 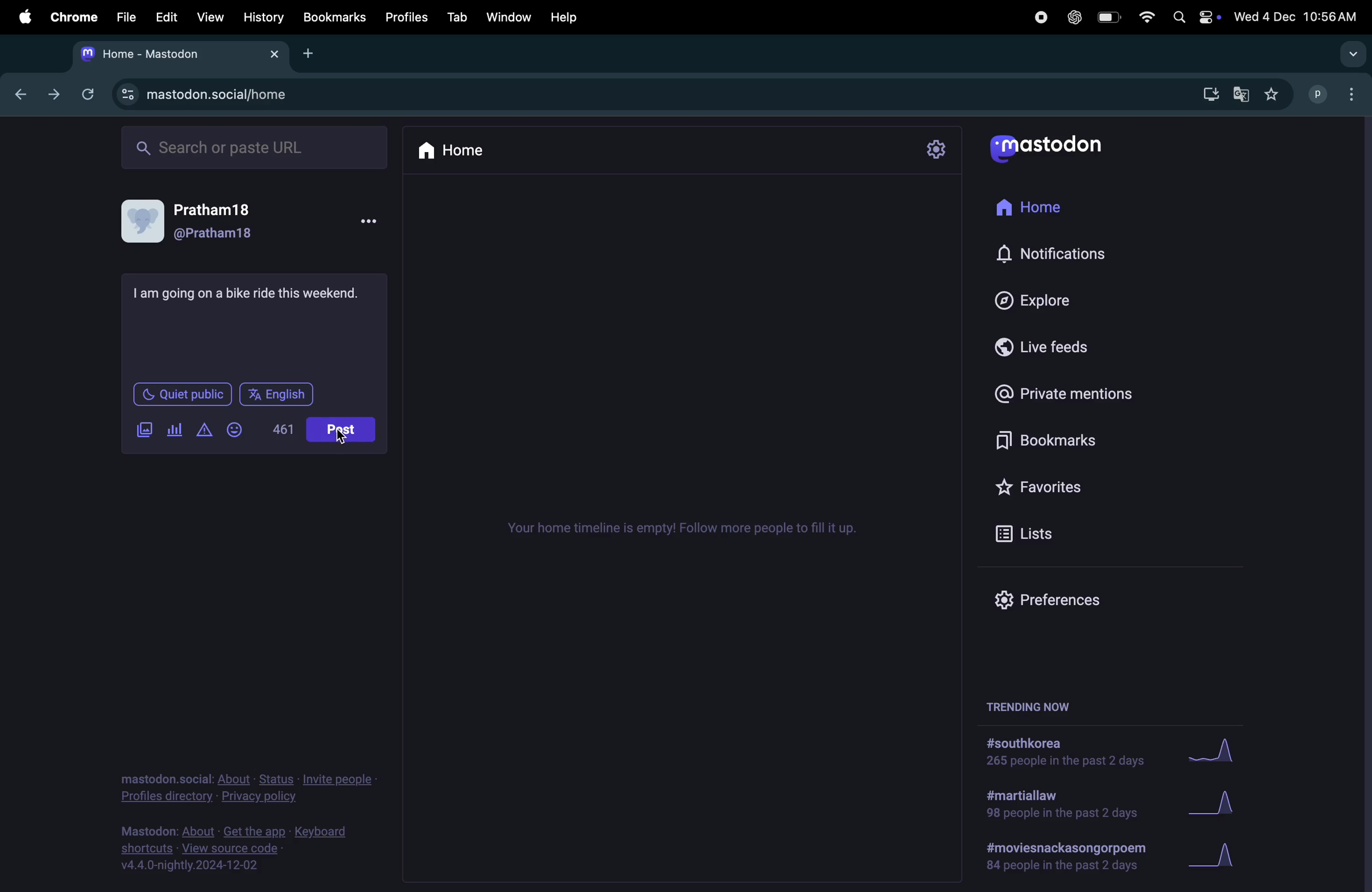 What do you see at coordinates (1046, 533) in the screenshot?
I see `Lists` at bounding box center [1046, 533].